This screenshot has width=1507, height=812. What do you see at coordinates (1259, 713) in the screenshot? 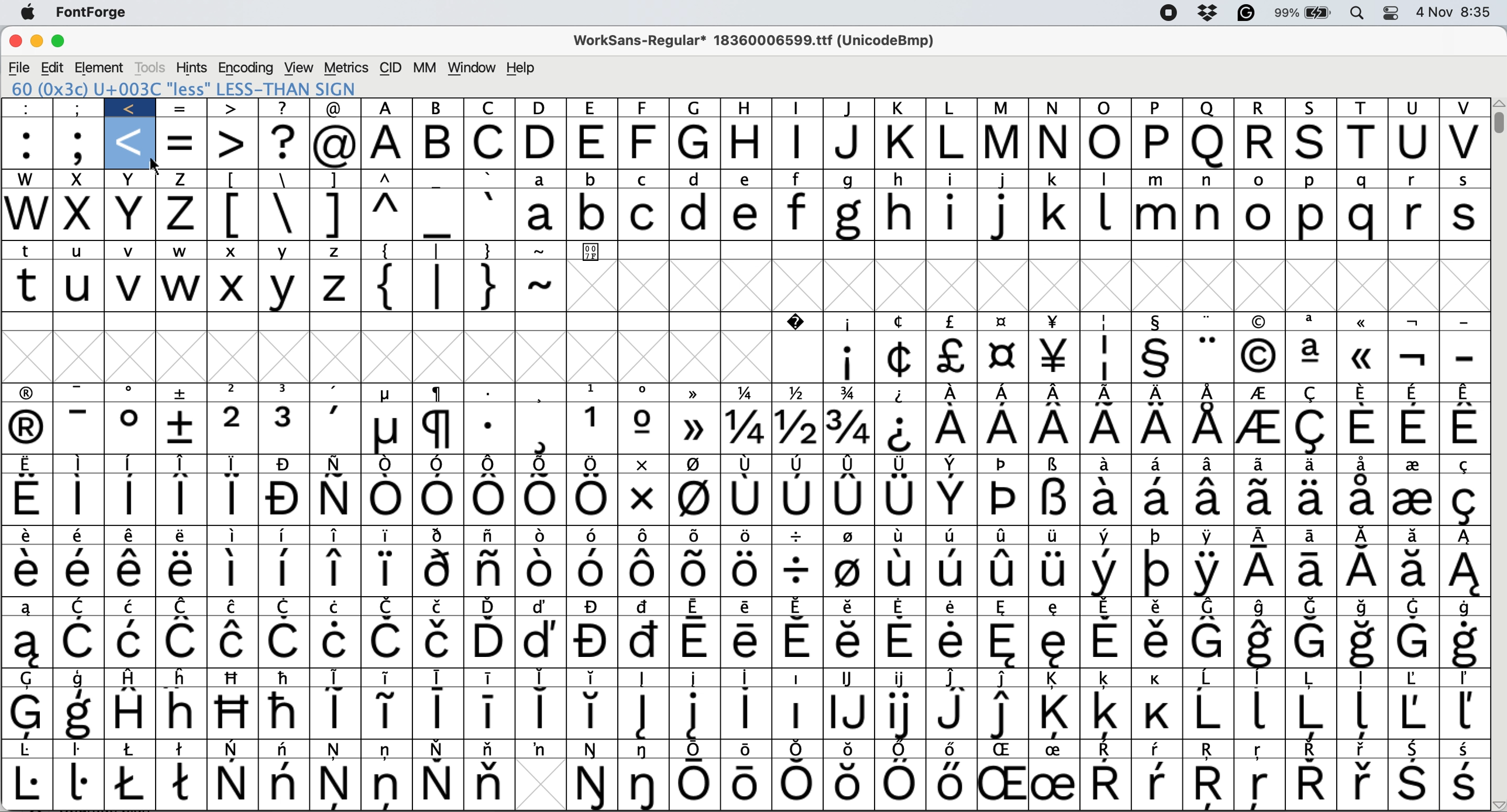
I see `Symbol` at bounding box center [1259, 713].